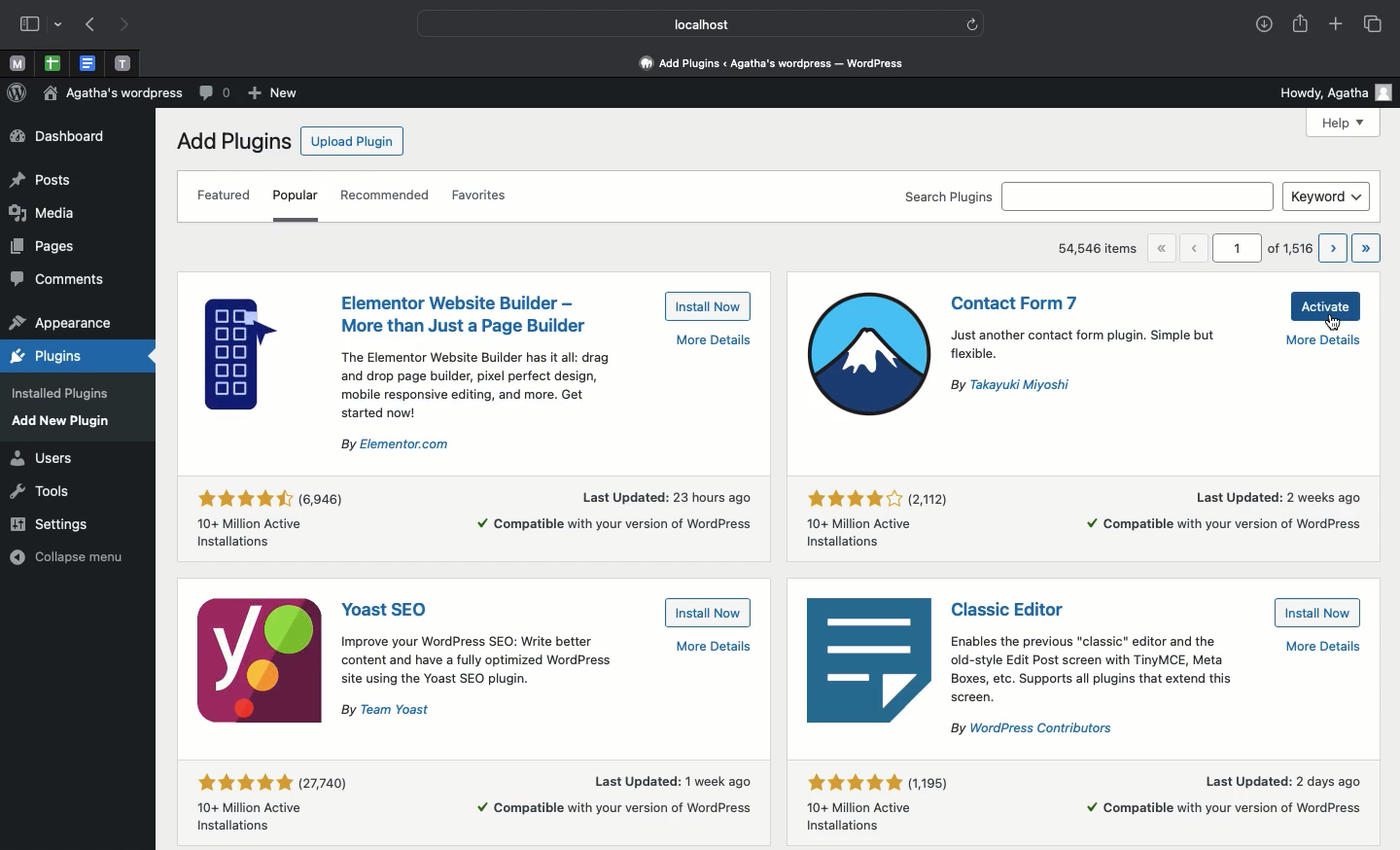 The height and width of the screenshot is (850, 1400). Describe the element at coordinates (609, 795) in the screenshot. I see `More details` at that location.